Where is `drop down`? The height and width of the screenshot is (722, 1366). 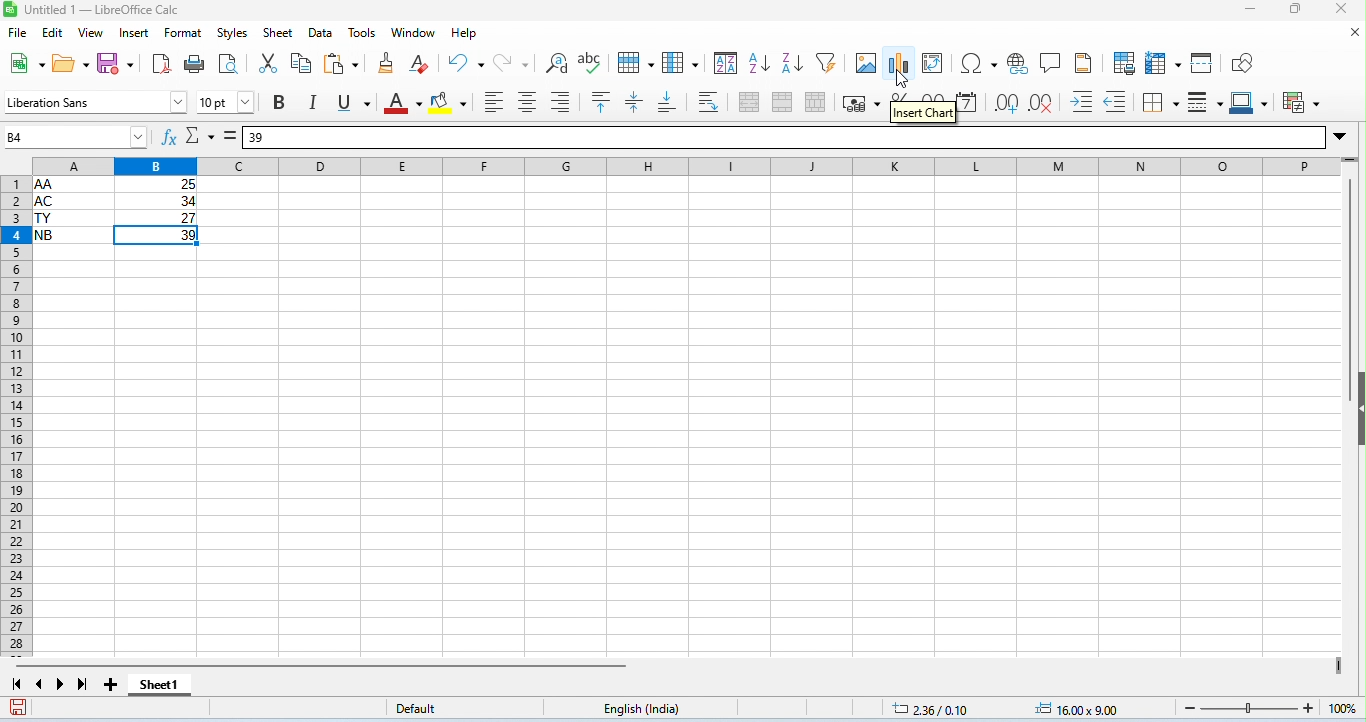 drop down is located at coordinates (1340, 135).